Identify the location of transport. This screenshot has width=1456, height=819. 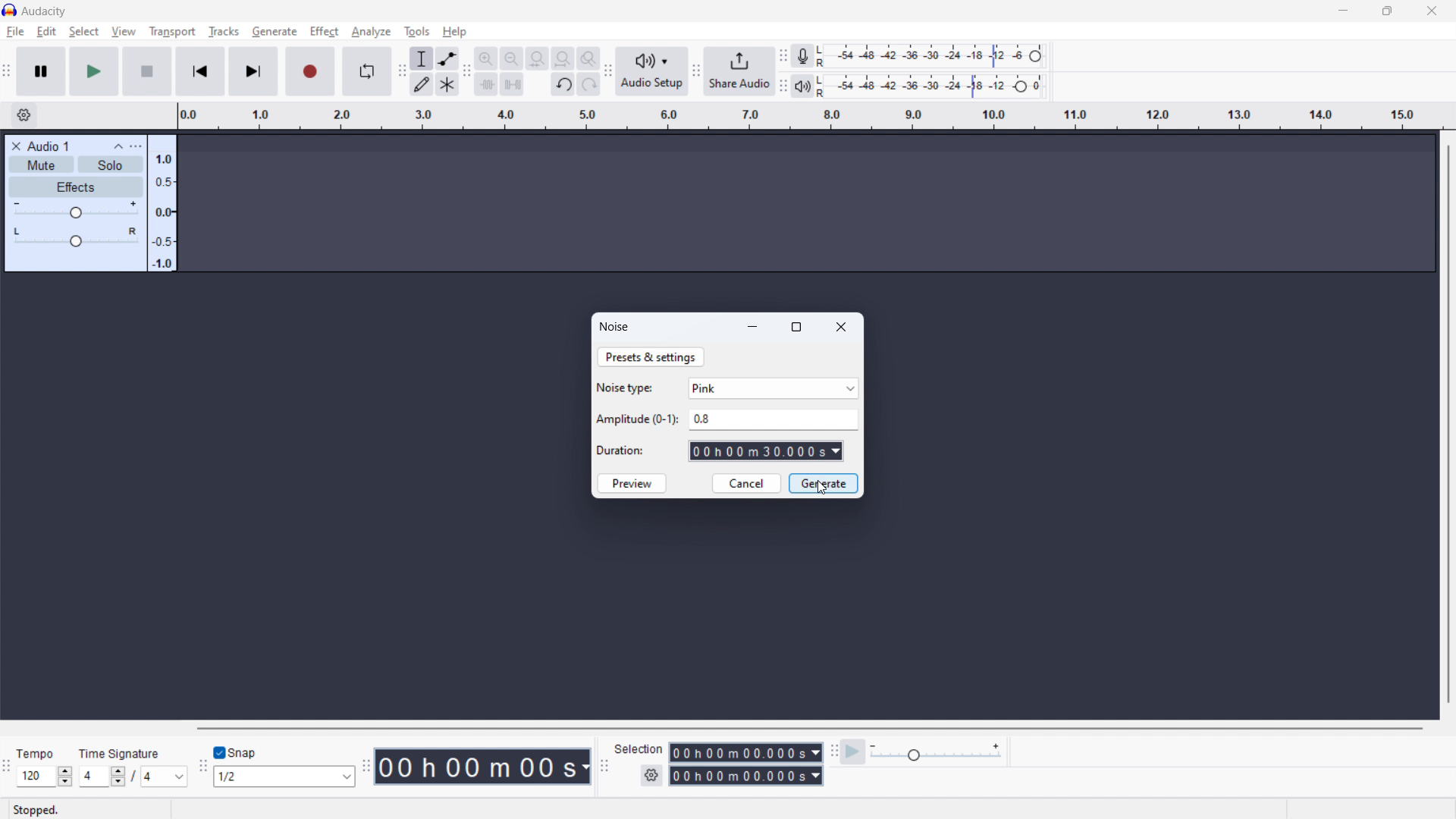
(172, 31).